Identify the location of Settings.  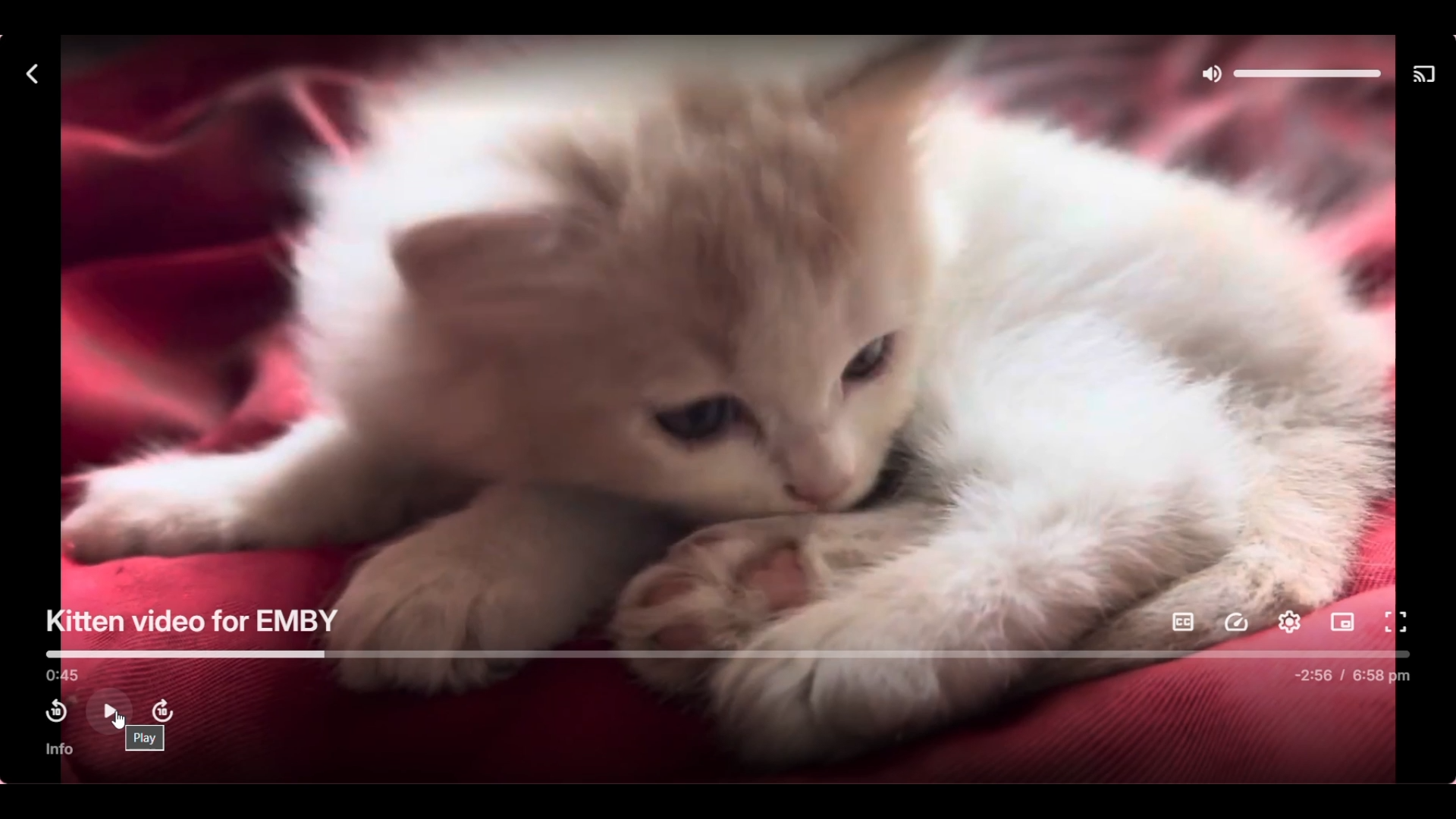
(1290, 622).